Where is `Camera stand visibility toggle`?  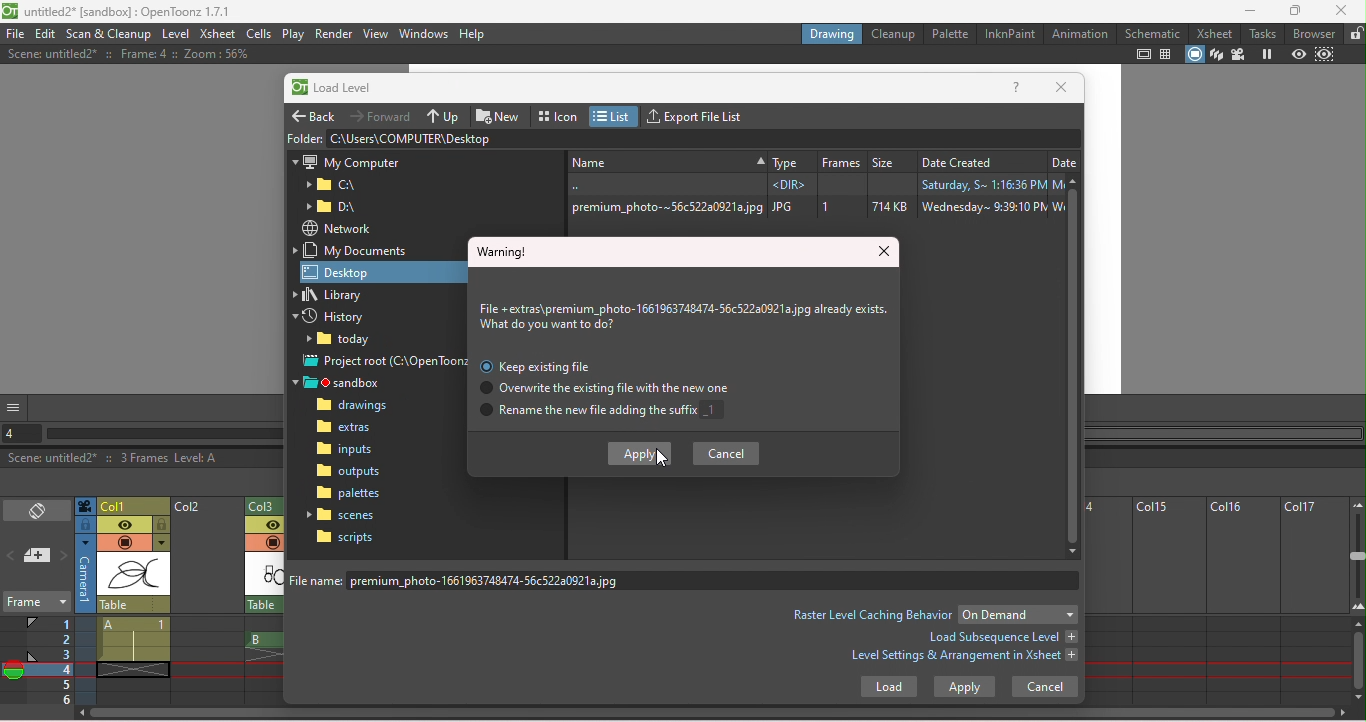
Camera stand visibility toggle is located at coordinates (124, 543).